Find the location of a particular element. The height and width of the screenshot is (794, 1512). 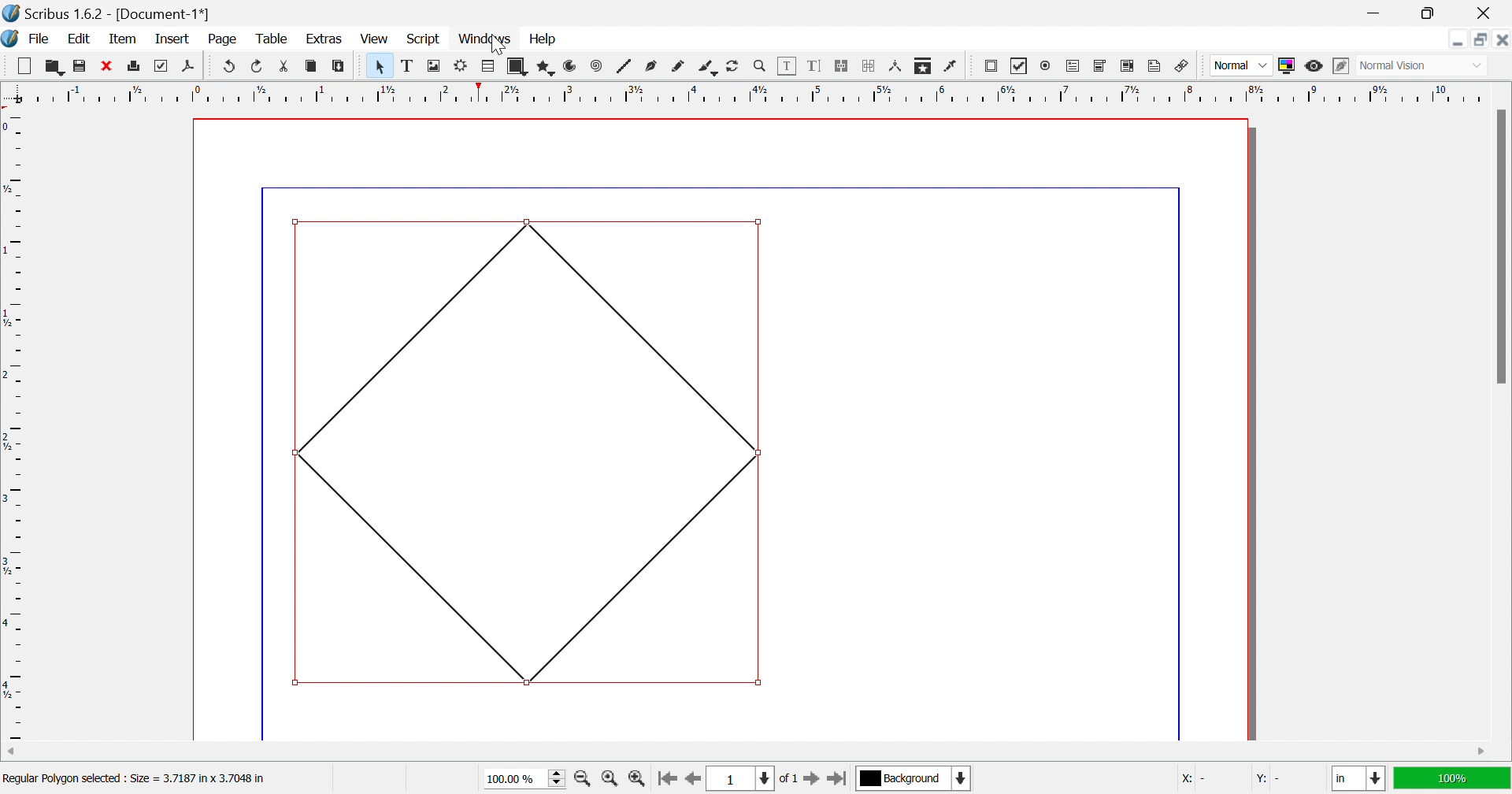

Zoom in or out is located at coordinates (760, 65).